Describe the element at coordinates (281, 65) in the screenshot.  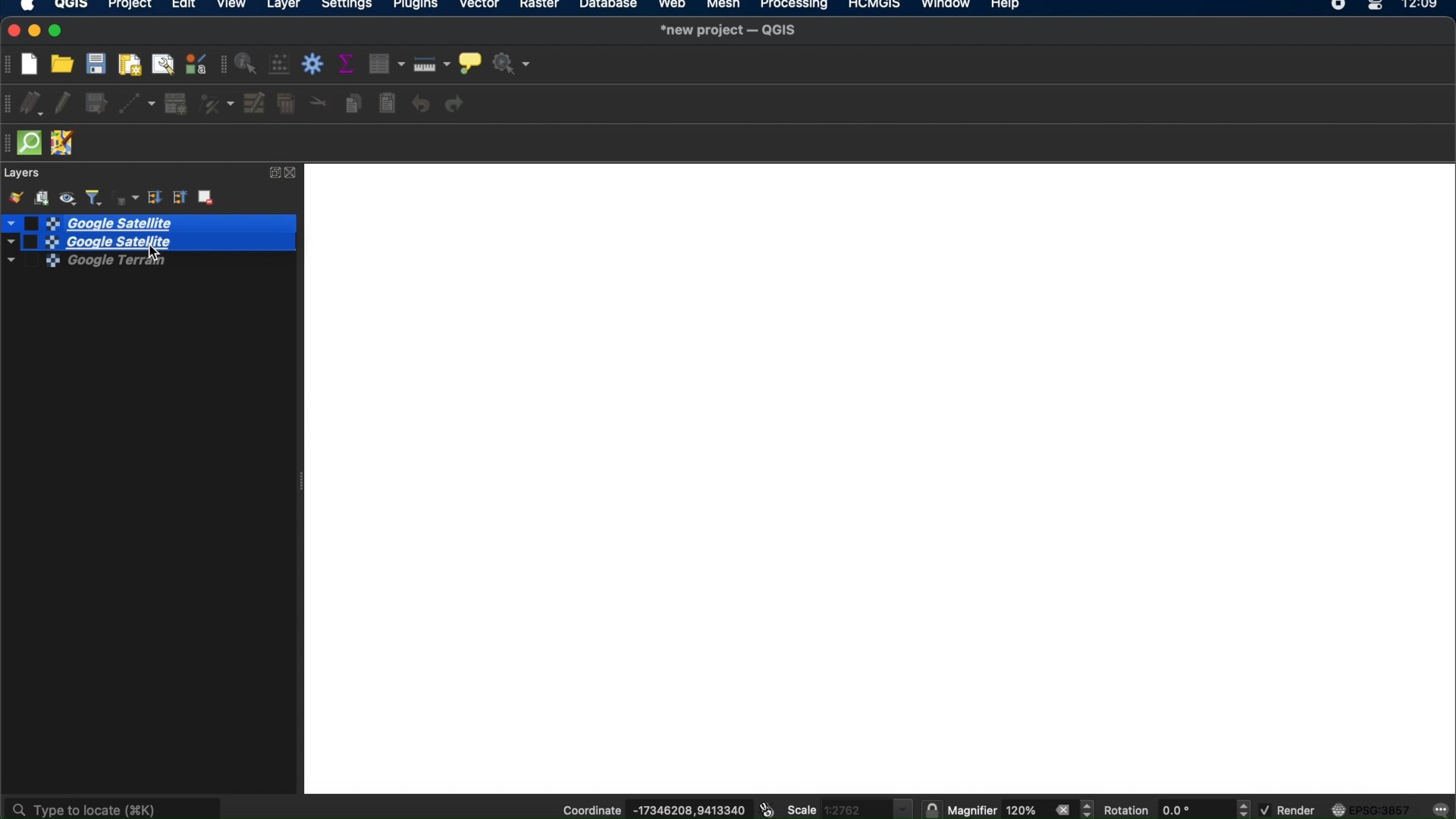
I see `open field calculator` at that location.